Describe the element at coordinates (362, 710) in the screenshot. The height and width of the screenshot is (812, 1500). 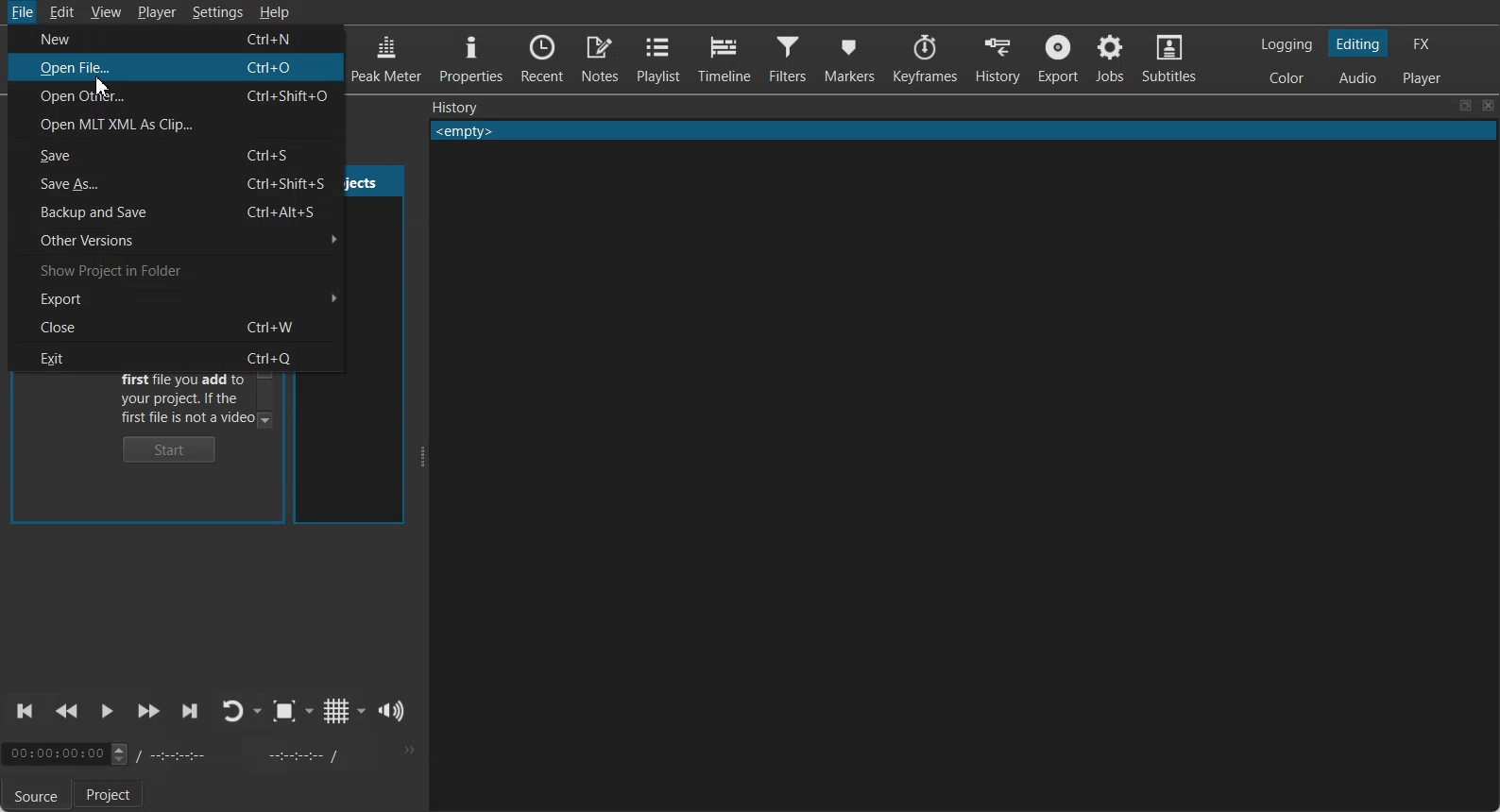
I see `Drop down box` at that location.